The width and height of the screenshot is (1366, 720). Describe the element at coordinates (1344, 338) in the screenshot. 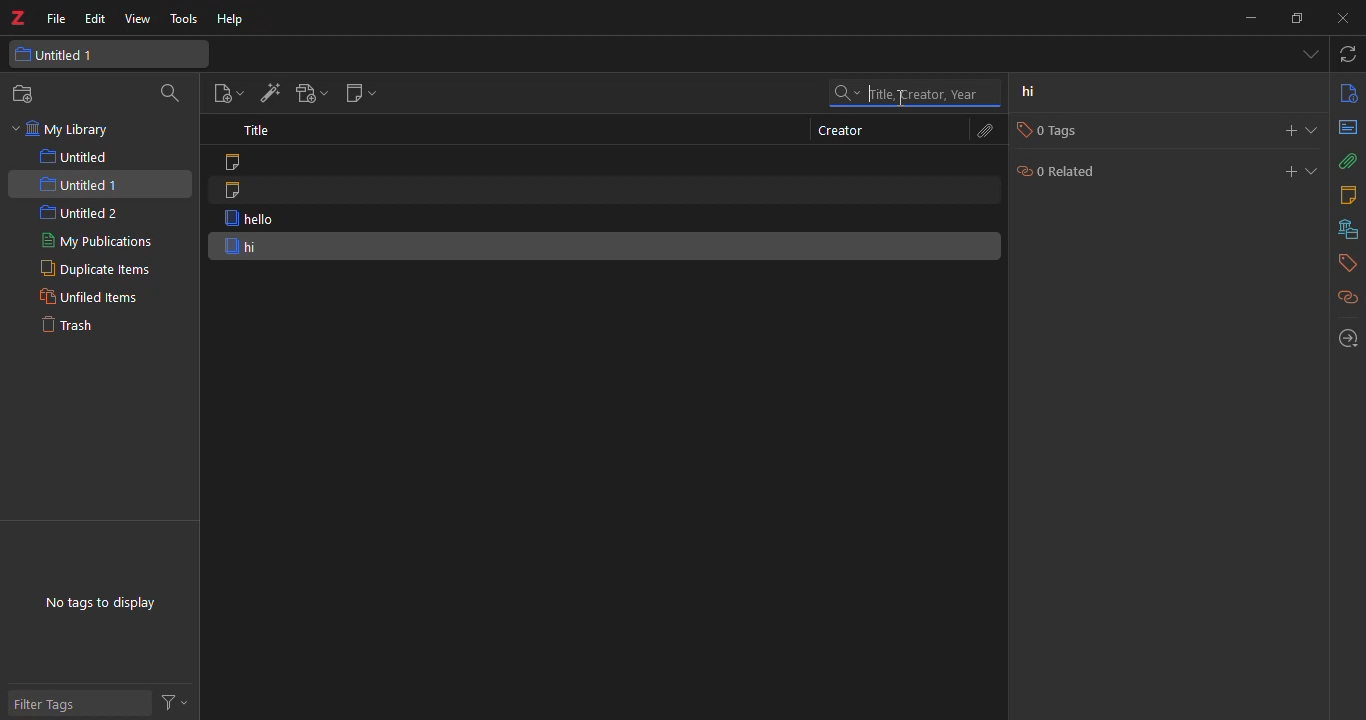

I see `locate` at that location.